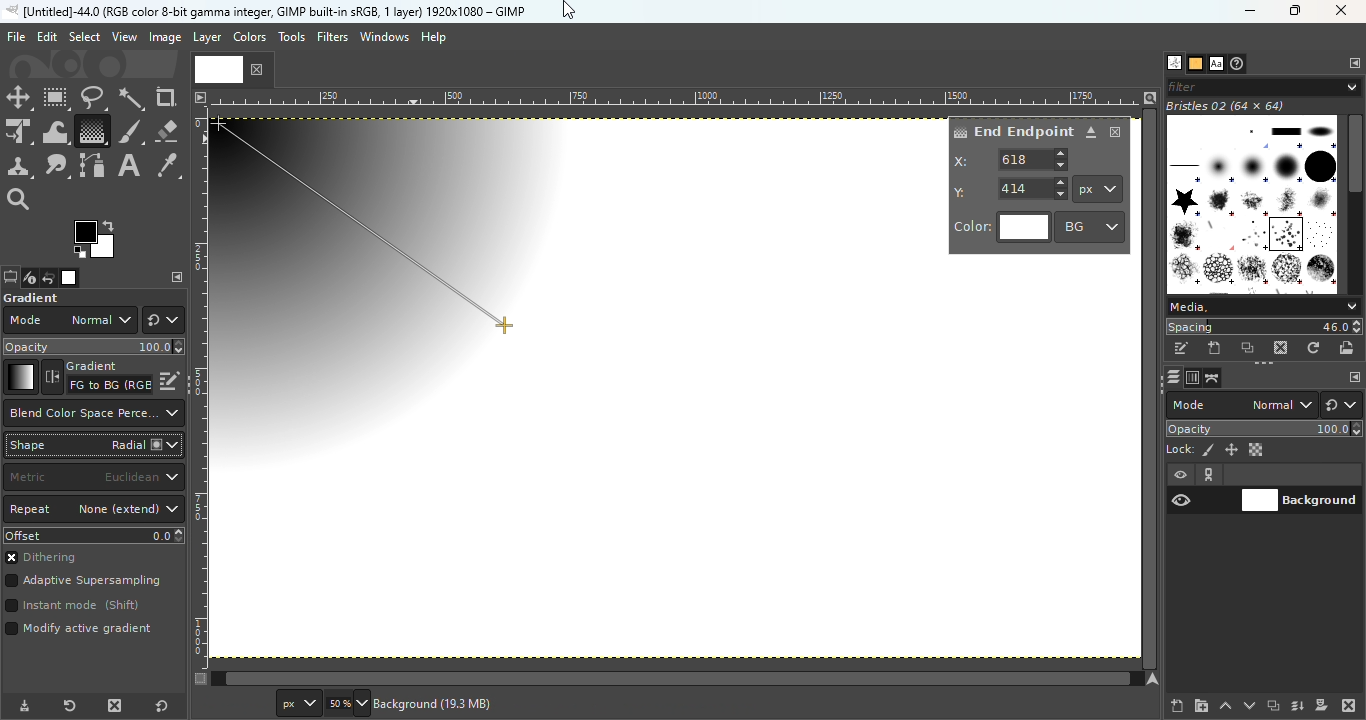  What do you see at coordinates (199, 95) in the screenshot?
I see `Access the image menu` at bounding box center [199, 95].